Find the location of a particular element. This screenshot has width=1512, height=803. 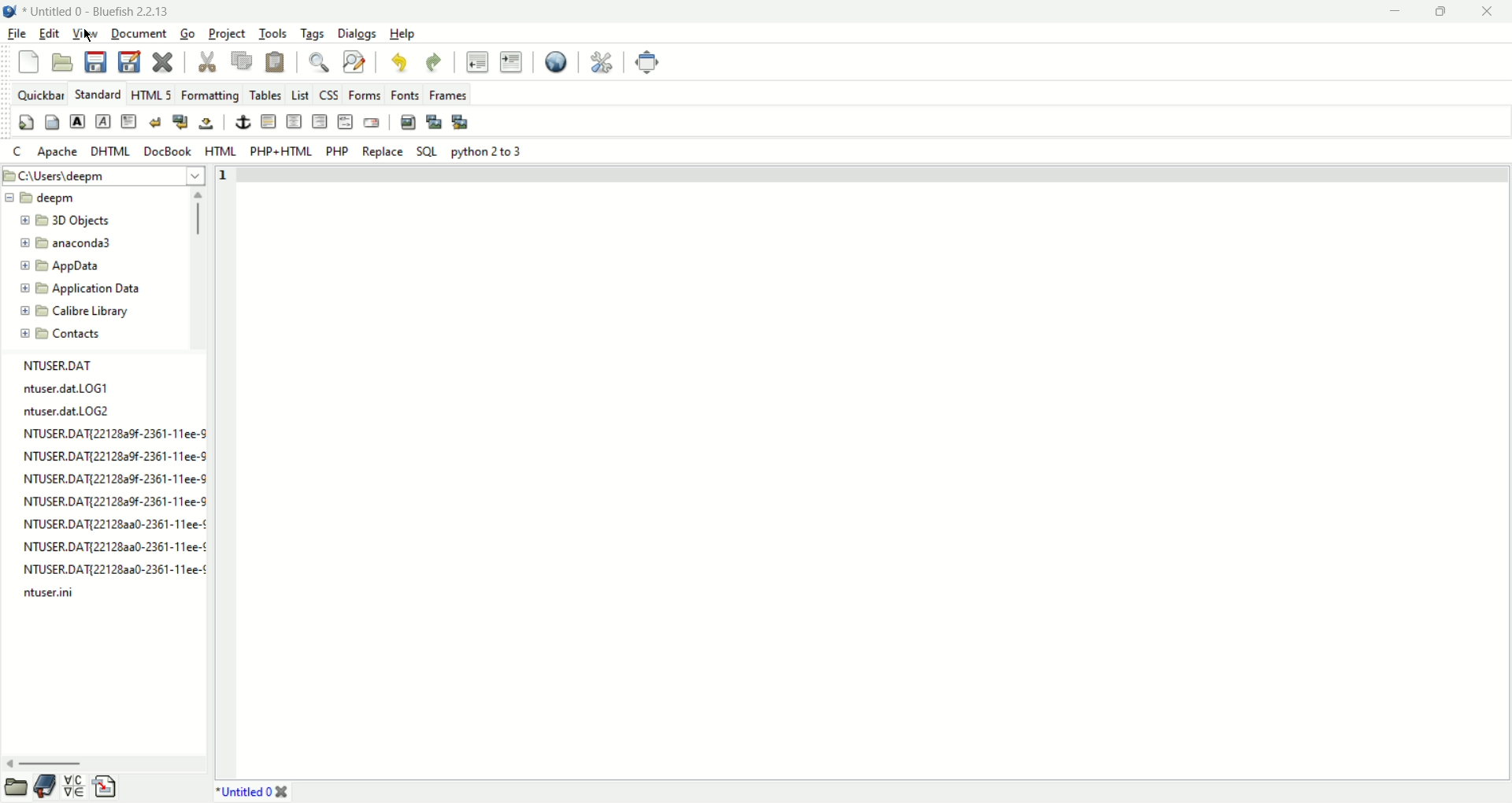

DHTML is located at coordinates (110, 153).